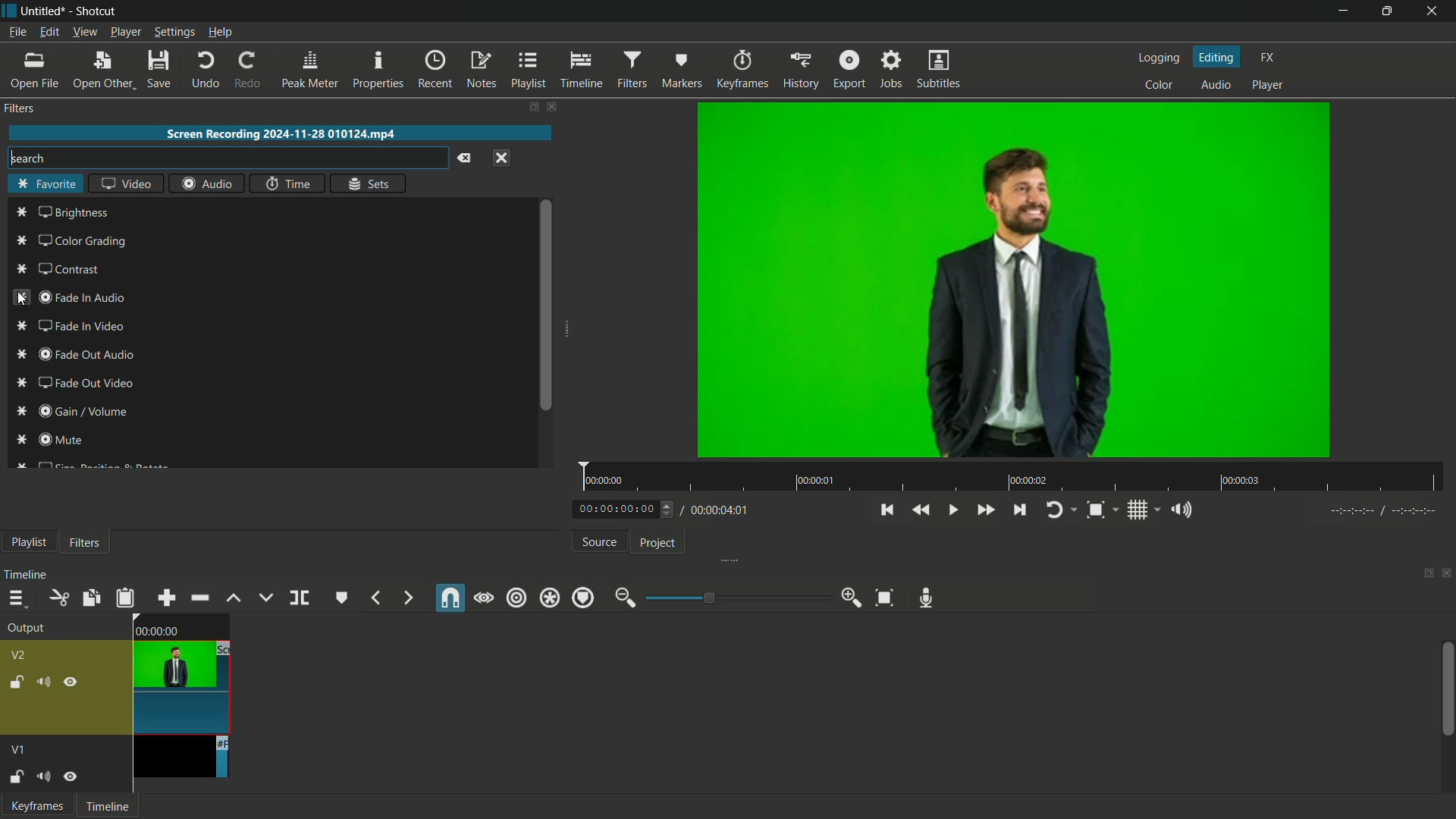 Image resolution: width=1456 pixels, height=819 pixels. Describe the element at coordinates (407, 598) in the screenshot. I see `next marker` at that location.